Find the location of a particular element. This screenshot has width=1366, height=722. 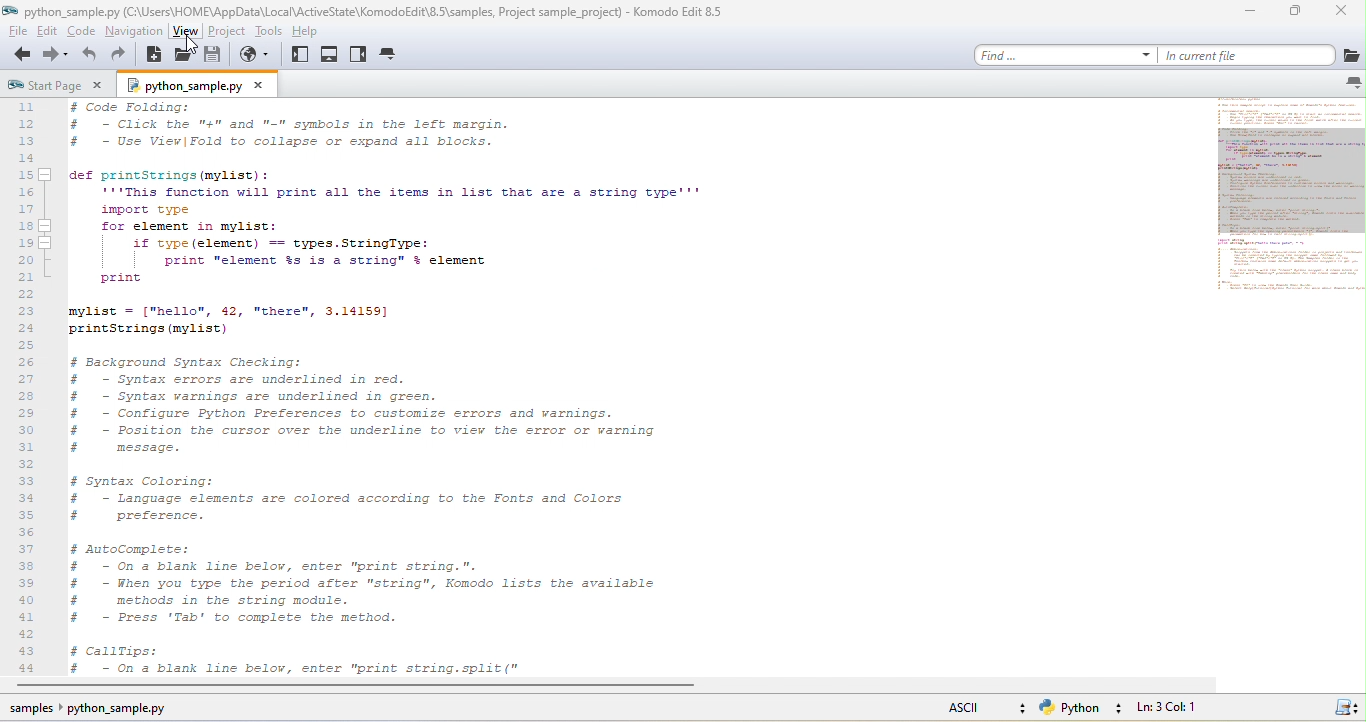

file is located at coordinates (16, 33).